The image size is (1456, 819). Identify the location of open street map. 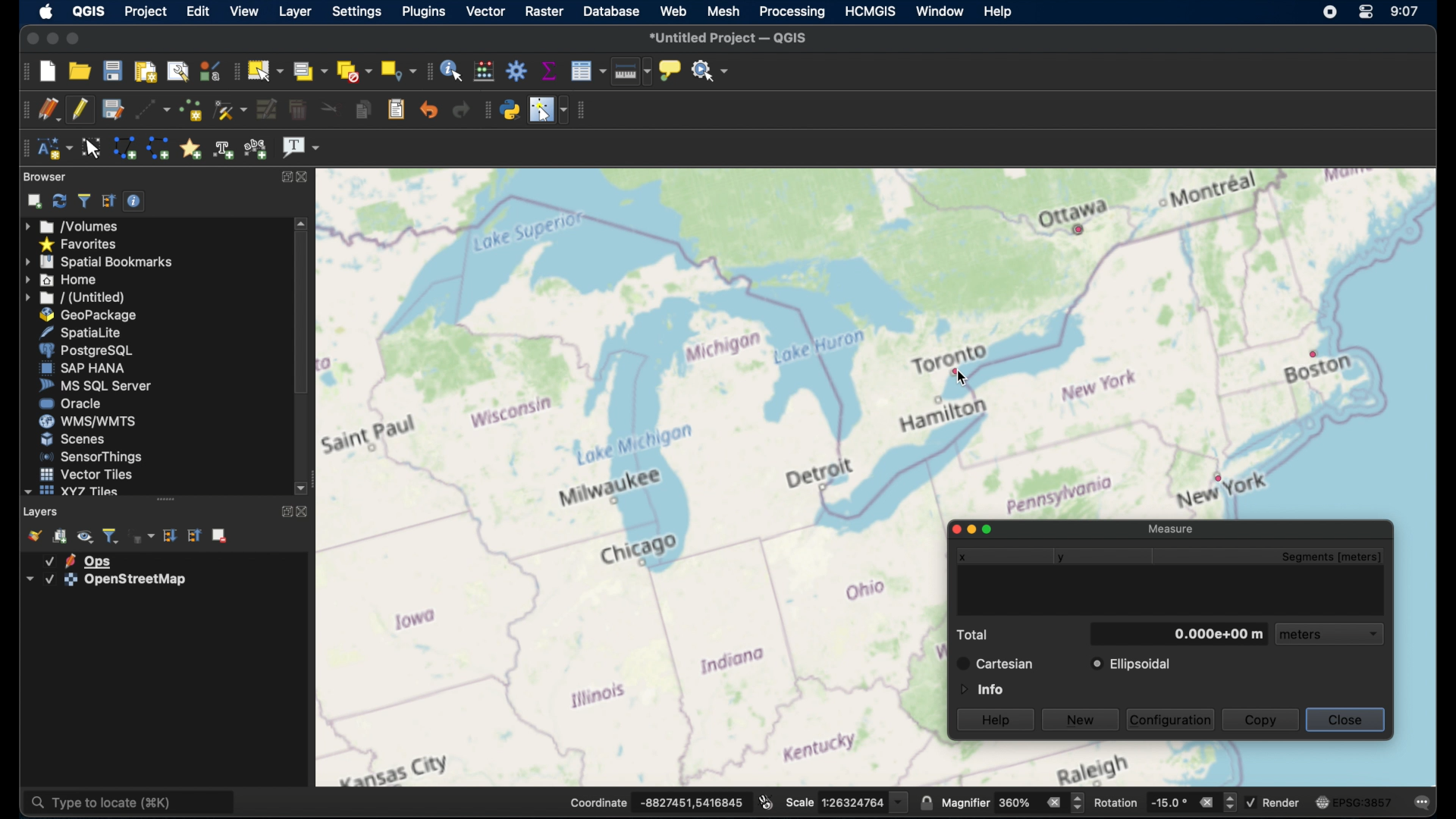
(1269, 232).